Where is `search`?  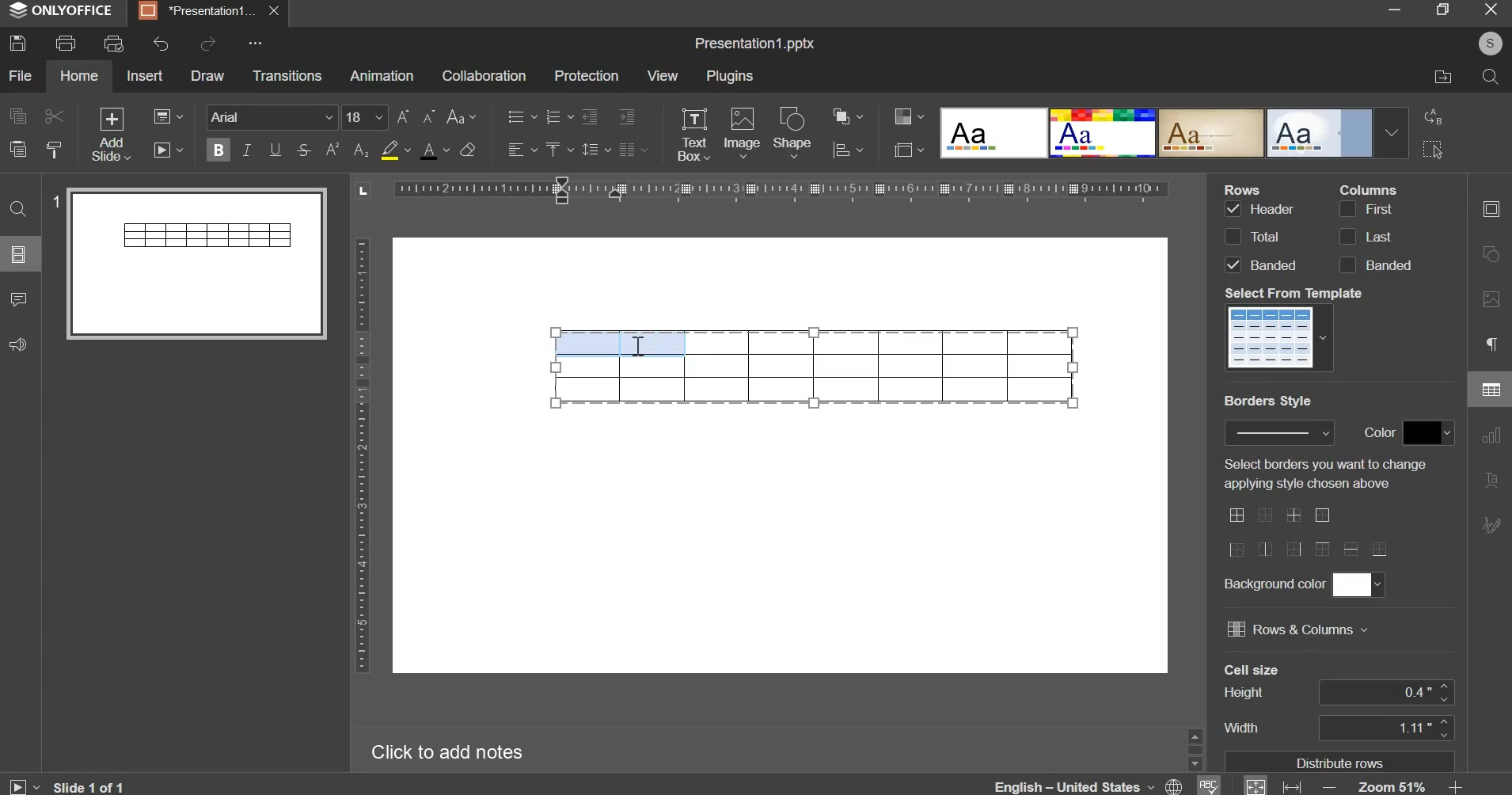
search is located at coordinates (1489, 77).